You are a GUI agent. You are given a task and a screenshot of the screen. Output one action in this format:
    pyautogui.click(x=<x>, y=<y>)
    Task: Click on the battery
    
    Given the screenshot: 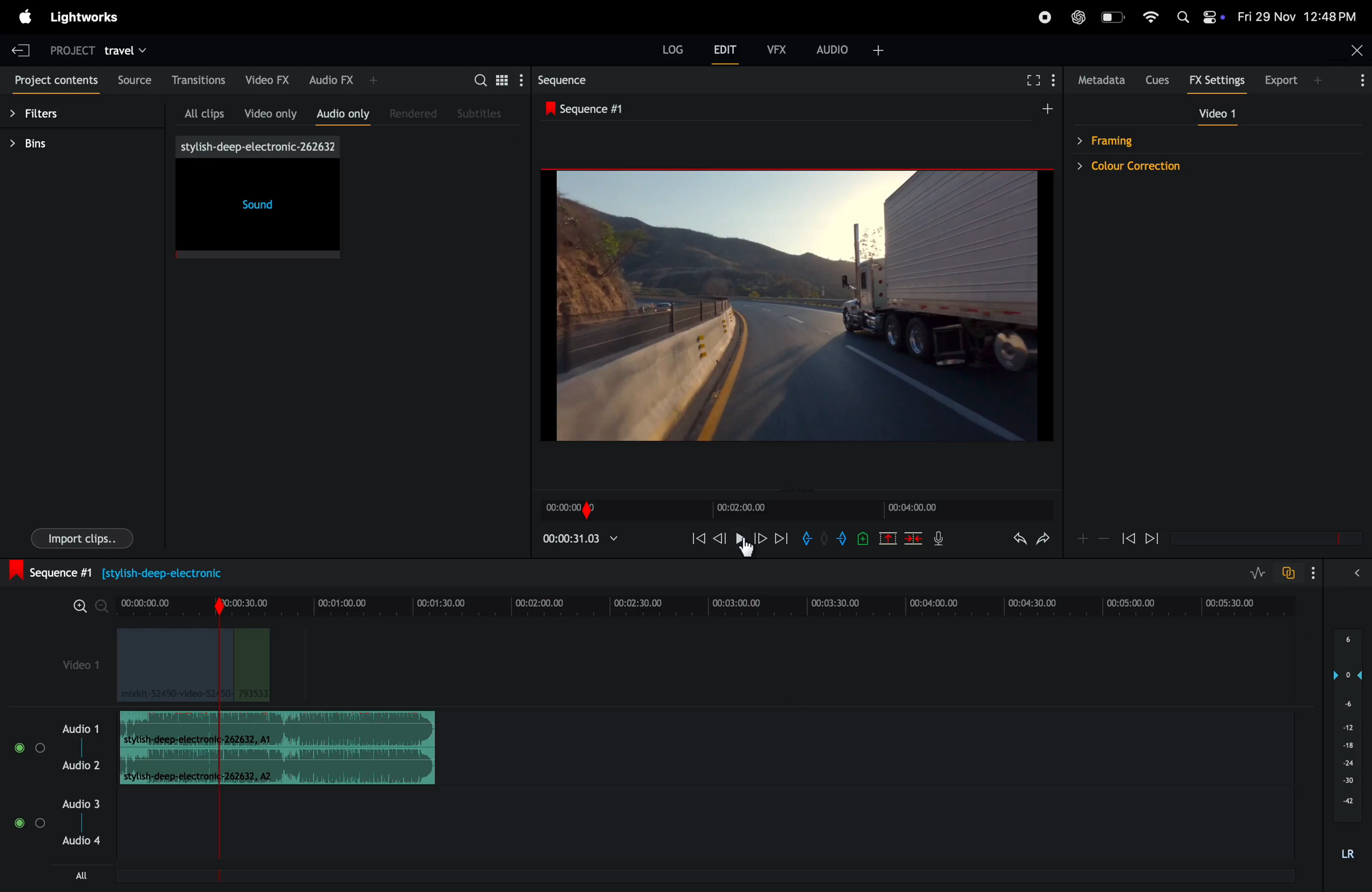 What is the action you would take?
    pyautogui.click(x=1113, y=17)
    